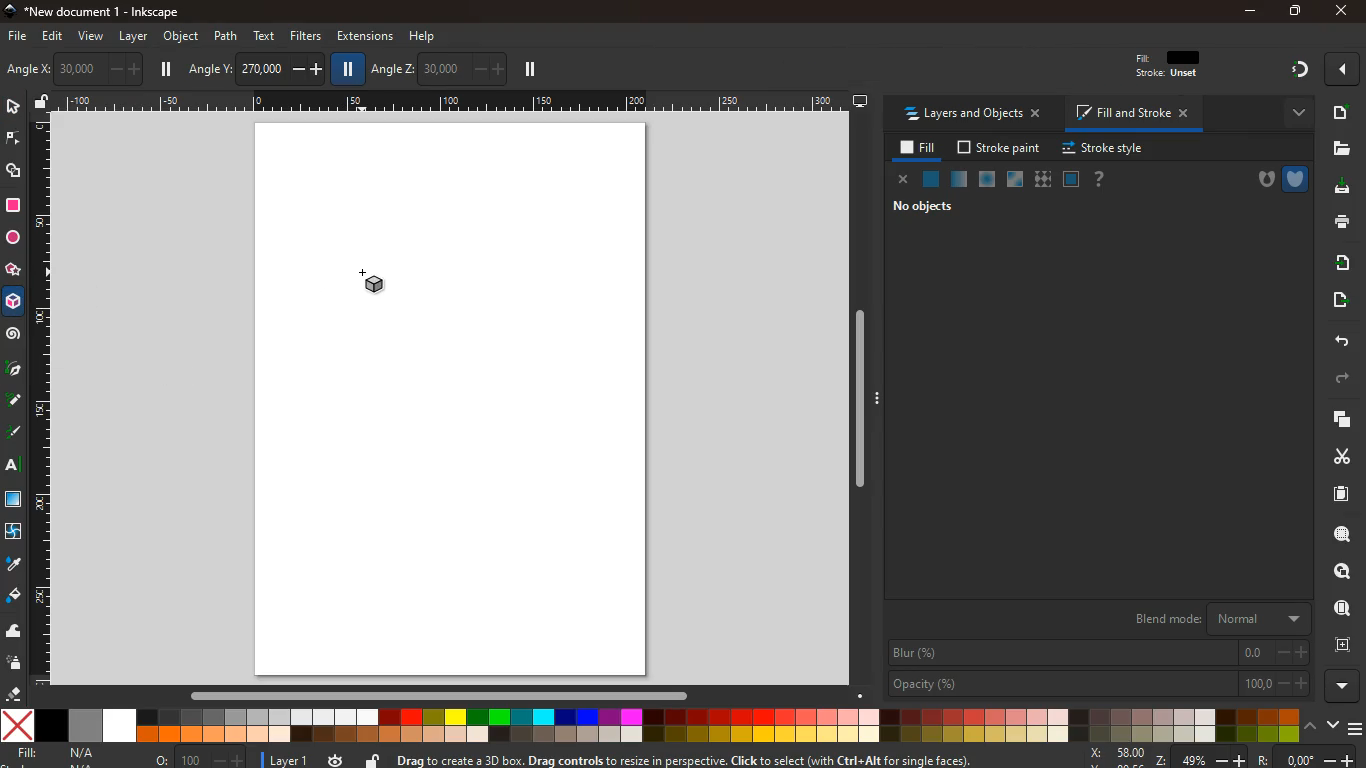  I want to click on pause, so click(168, 69).